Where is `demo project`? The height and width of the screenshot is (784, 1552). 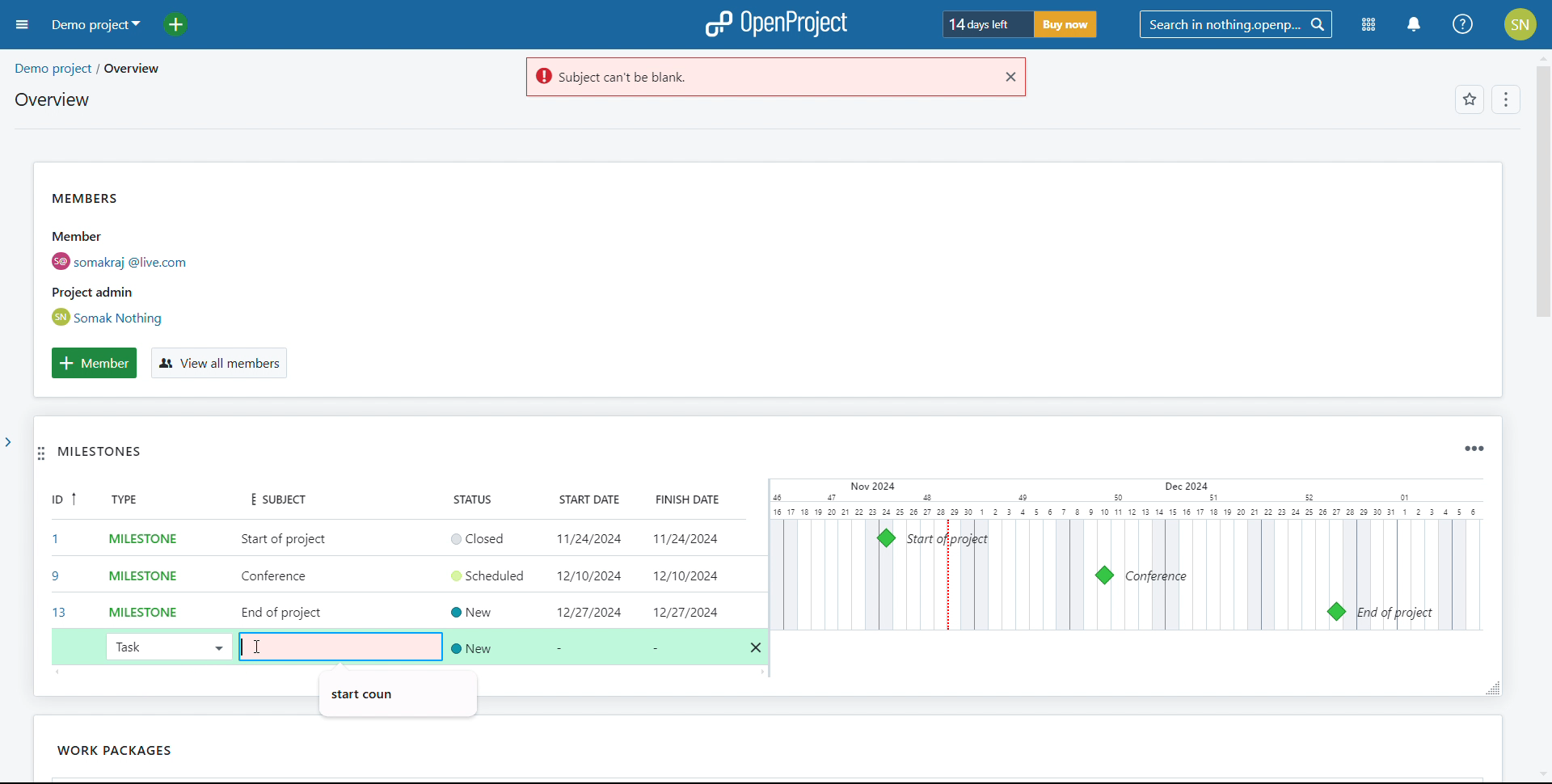
demo project is located at coordinates (94, 24).